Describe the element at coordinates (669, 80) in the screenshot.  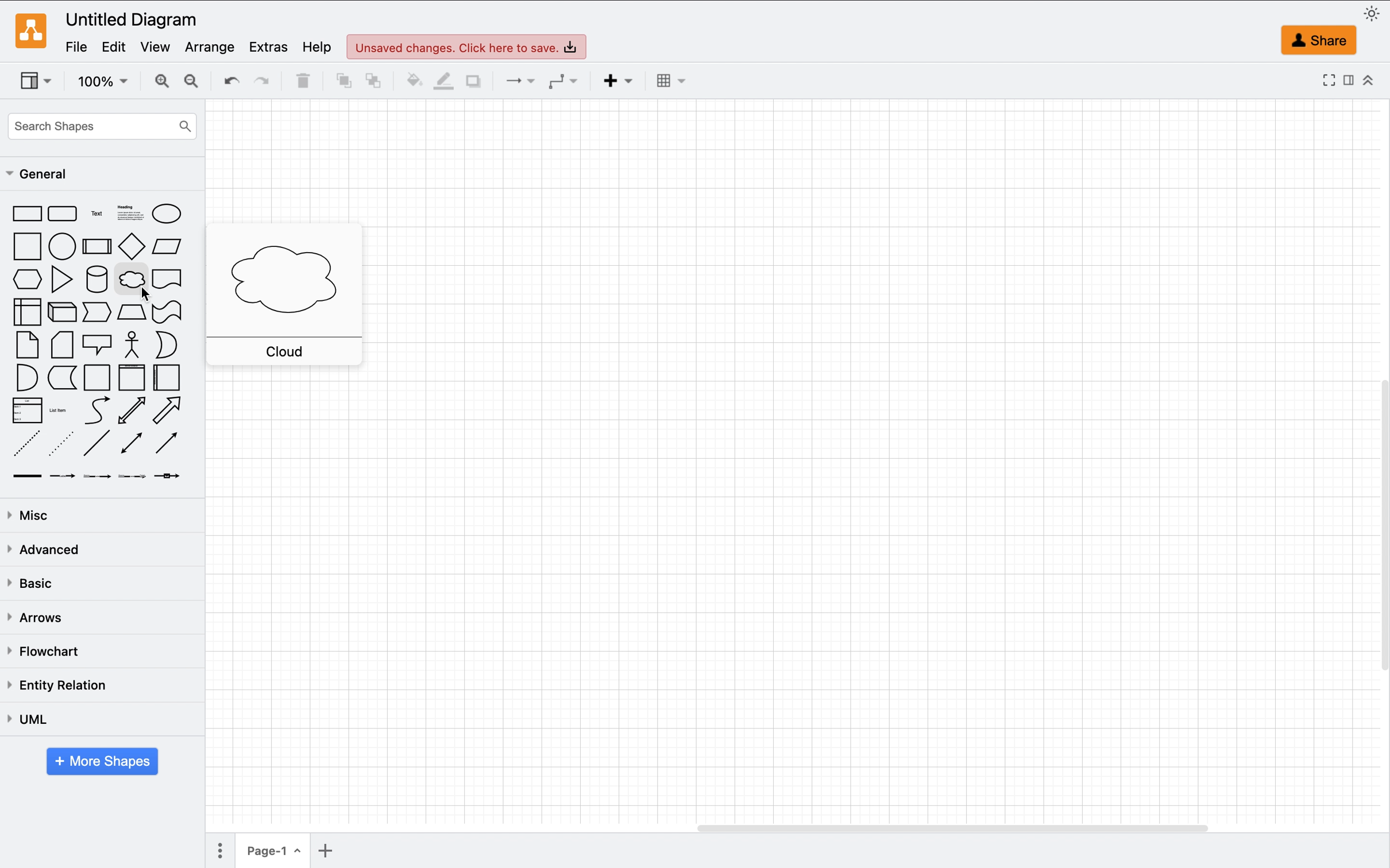
I see `table` at that location.